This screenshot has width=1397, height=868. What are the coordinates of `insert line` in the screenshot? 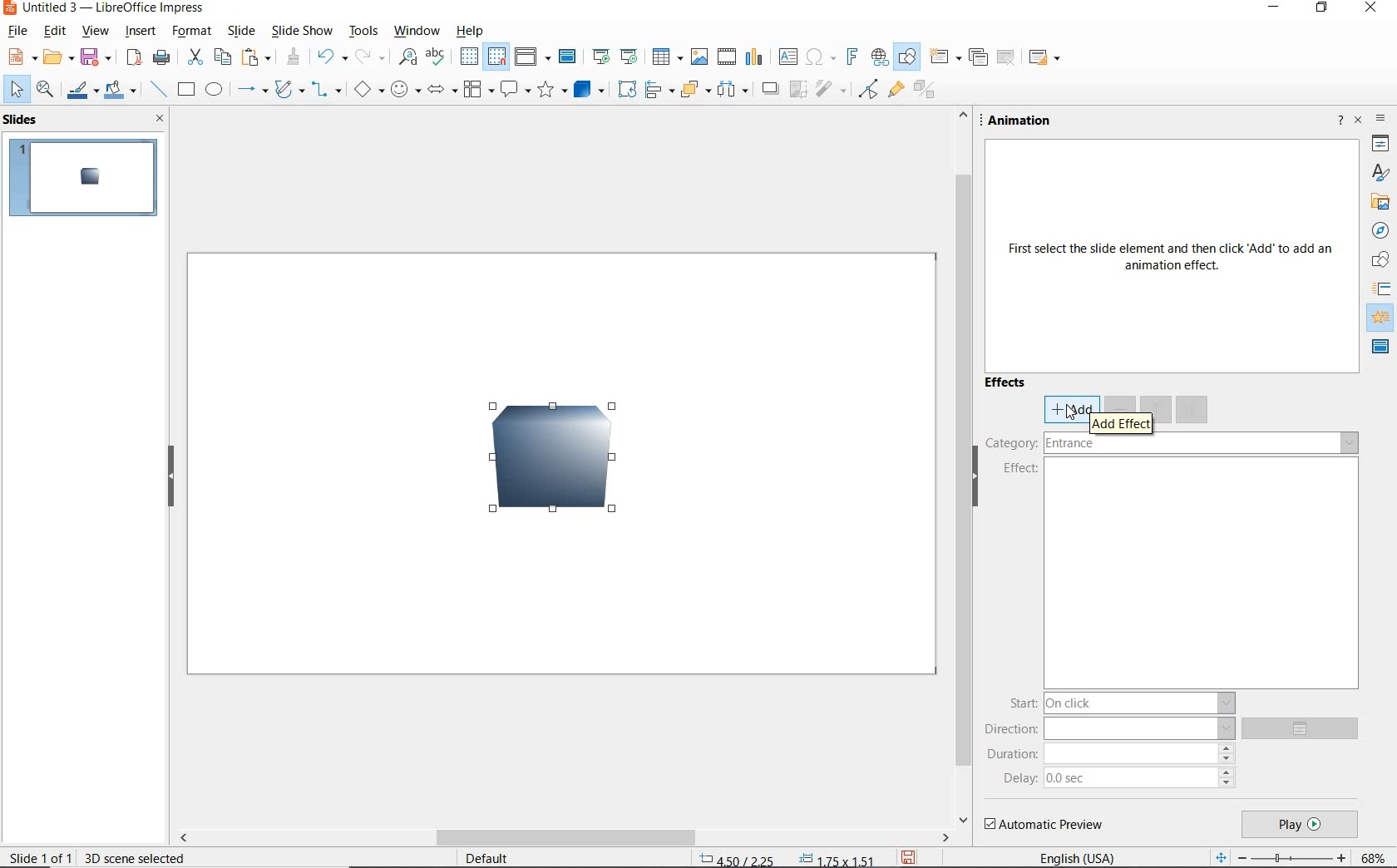 It's located at (159, 90).